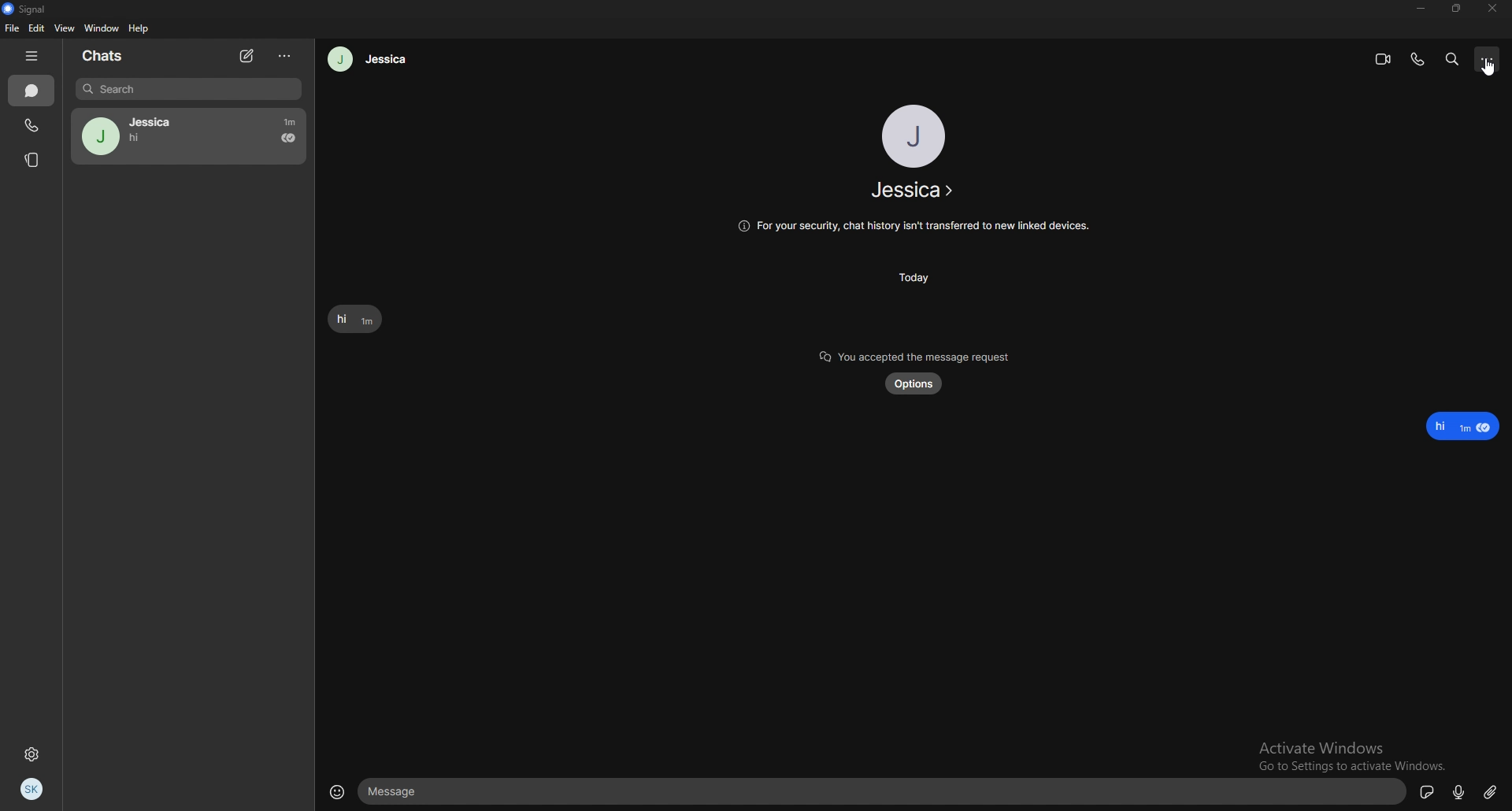  Describe the element at coordinates (101, 28) in the screenshot. I see `Window` at that location.